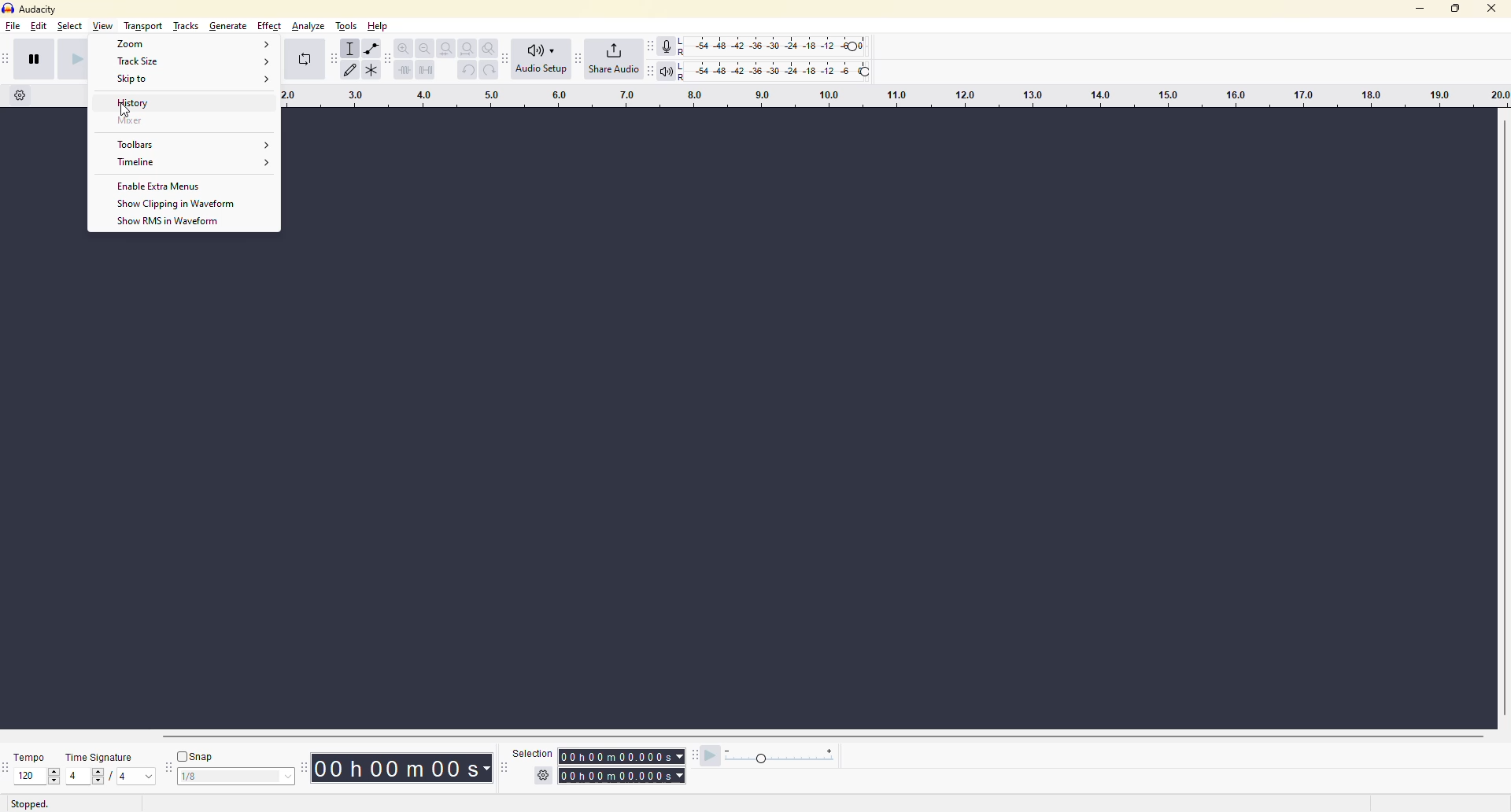  I want to click on audacity, so click(35, 9).